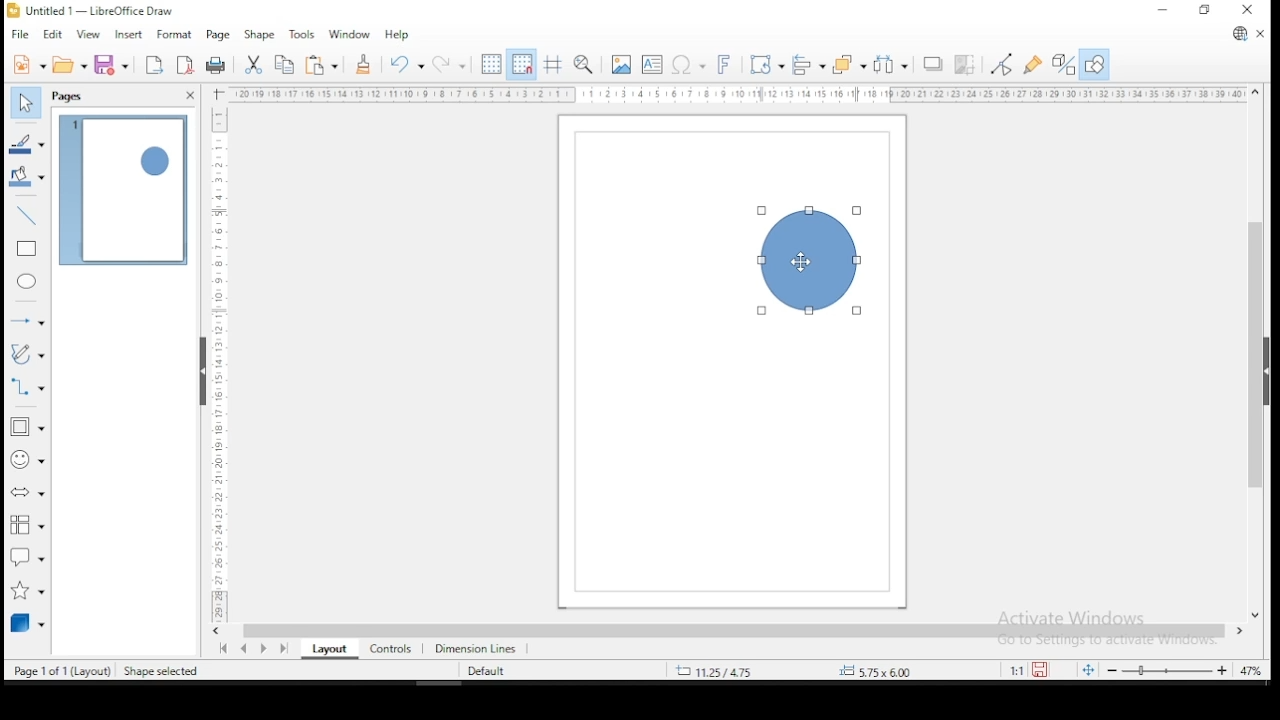 The image size is (1280, 720). Describe the element at coordinates (28, 354) in the screenshot. I see `curves and polygons` at that location.